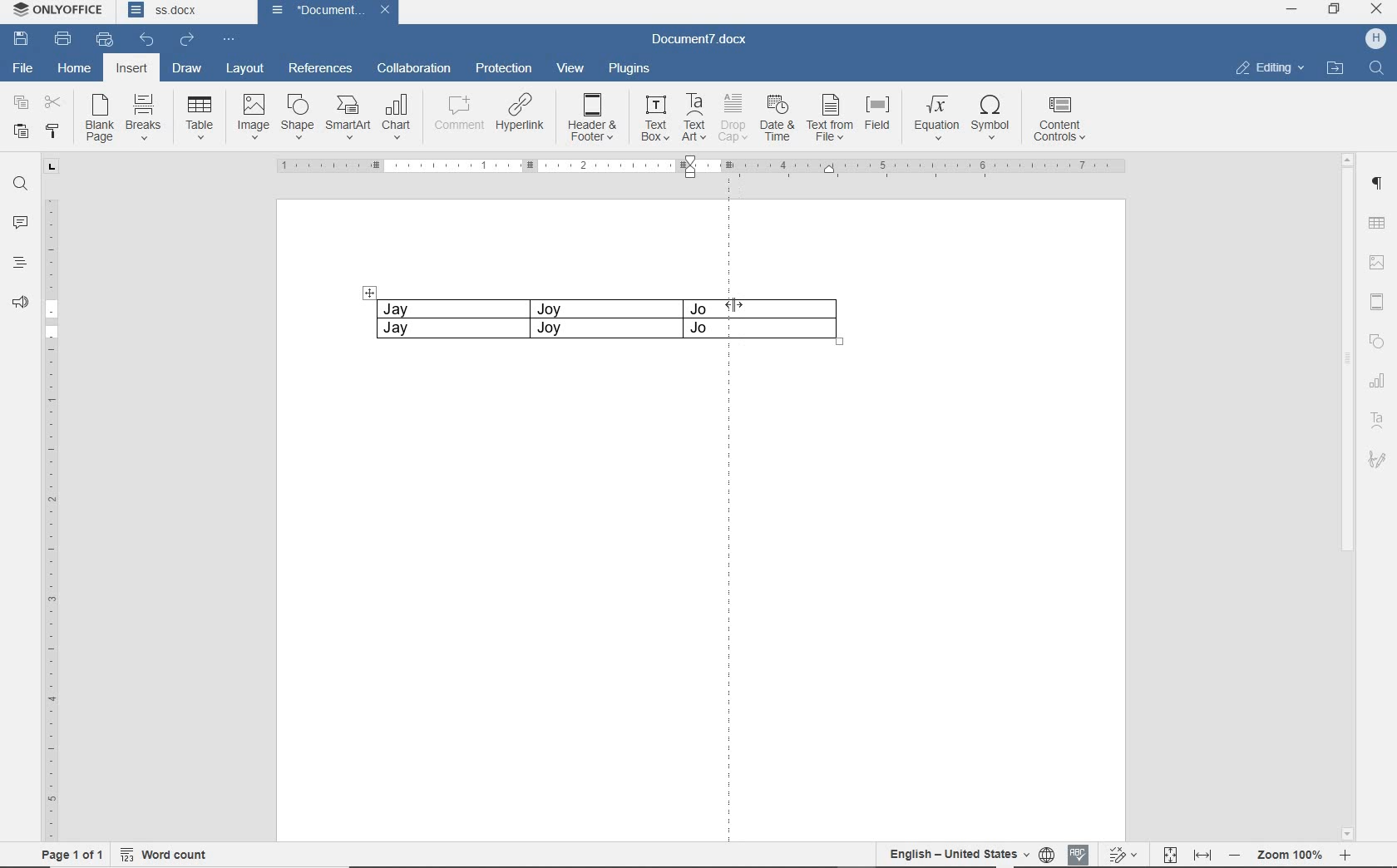 This screenshot has width=1397, height=868. I want to click on COPY, so click(21, 104).